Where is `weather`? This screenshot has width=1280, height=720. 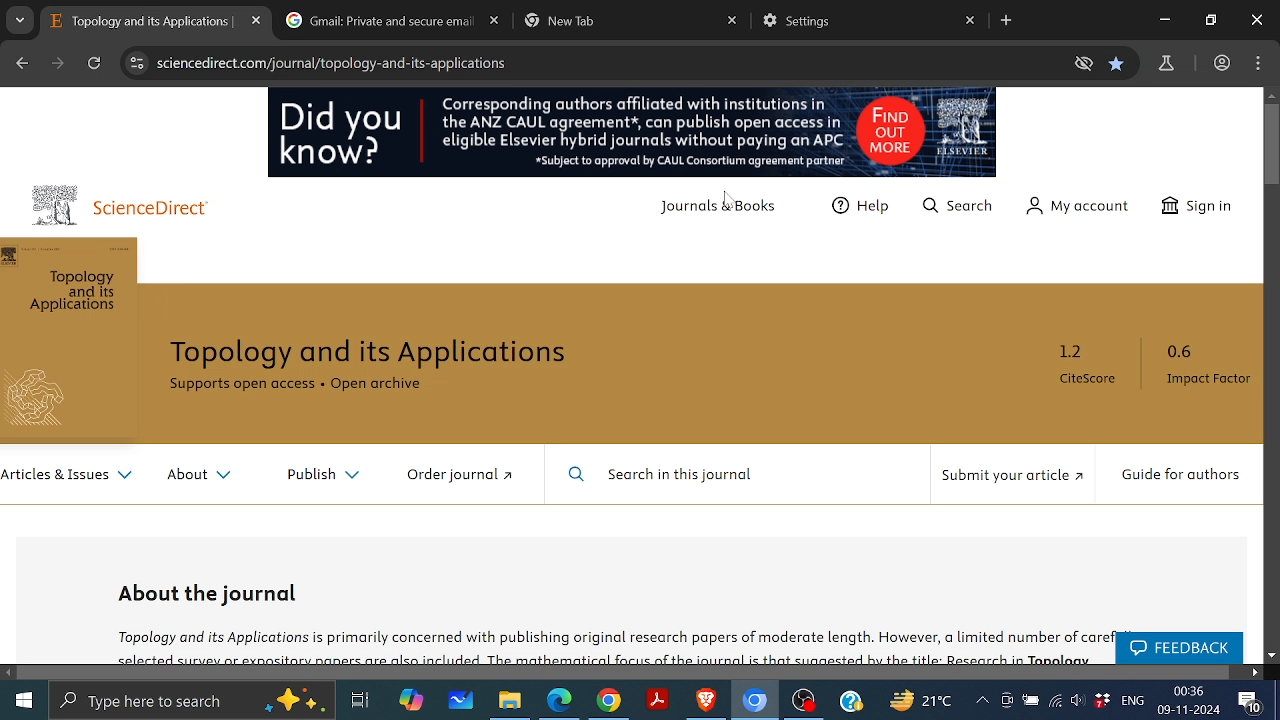 weather is located at coordinates (918, 700).